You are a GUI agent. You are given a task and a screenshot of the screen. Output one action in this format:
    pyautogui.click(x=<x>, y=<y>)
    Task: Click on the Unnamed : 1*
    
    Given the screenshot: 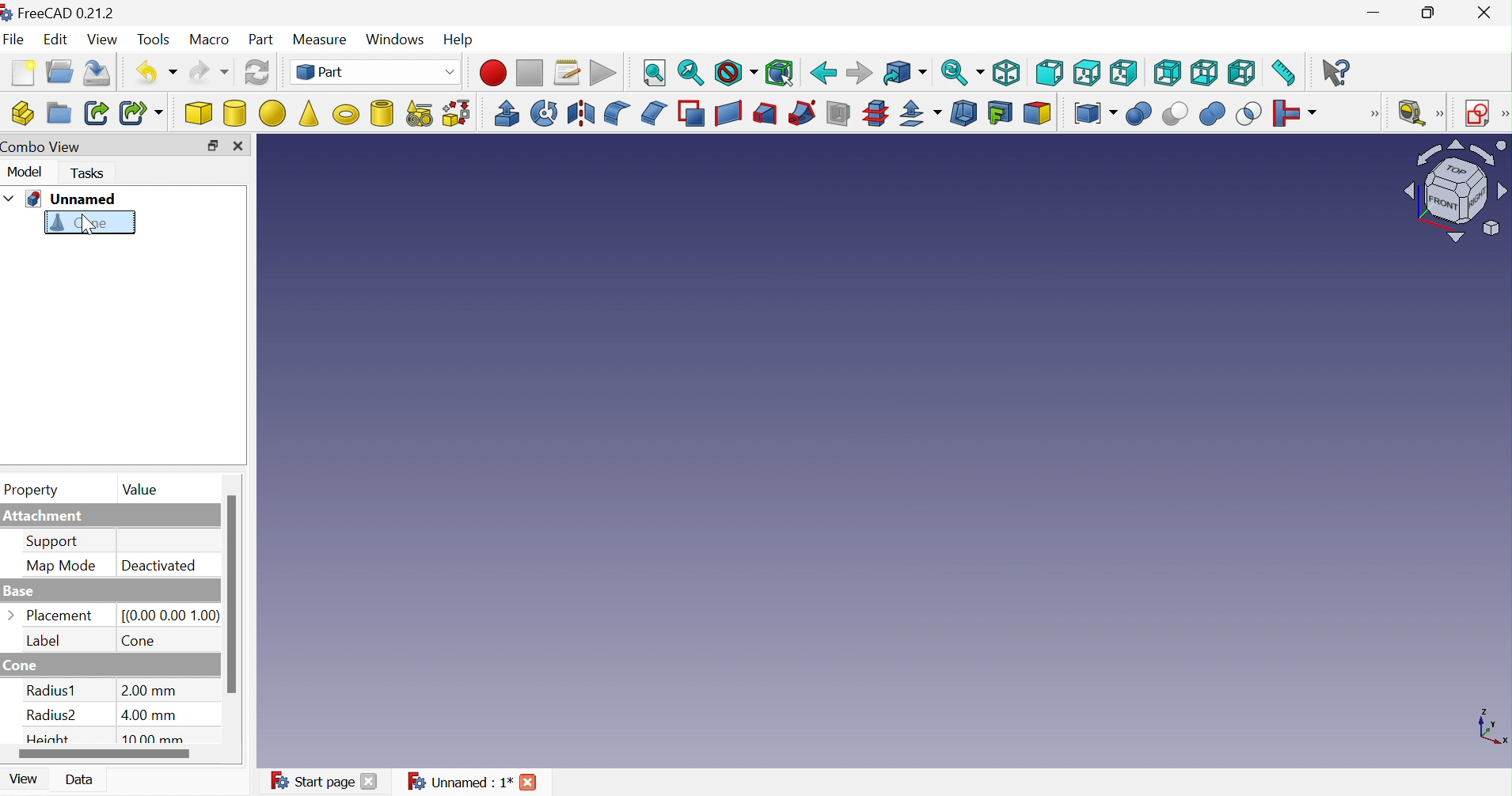 What is the action you would take?
    pyautogui.click(x=459, y=780)
    